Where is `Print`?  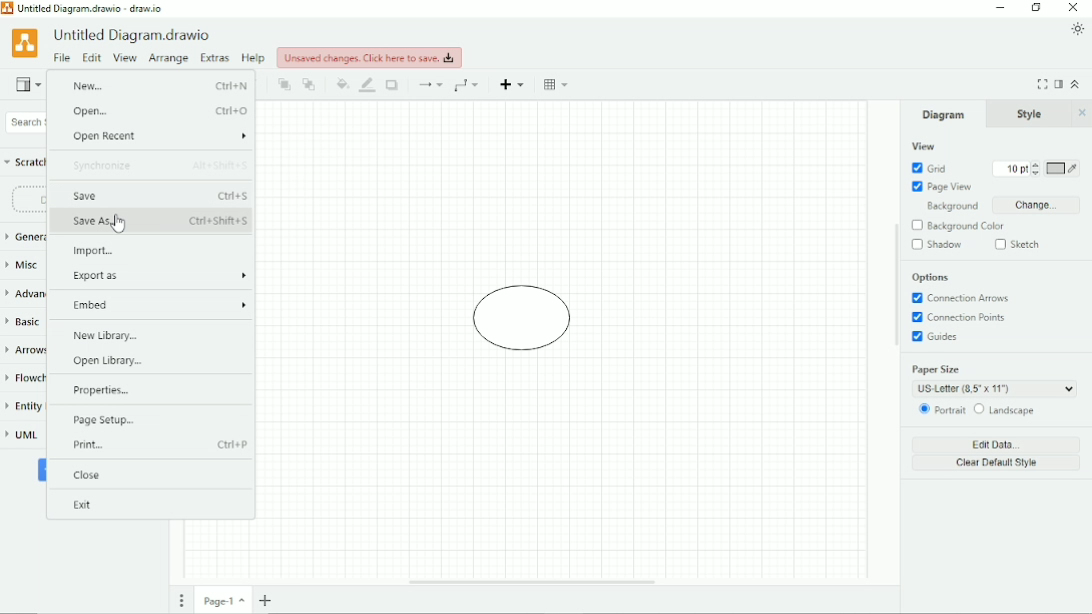 Print is located at coordinates (158, 446).